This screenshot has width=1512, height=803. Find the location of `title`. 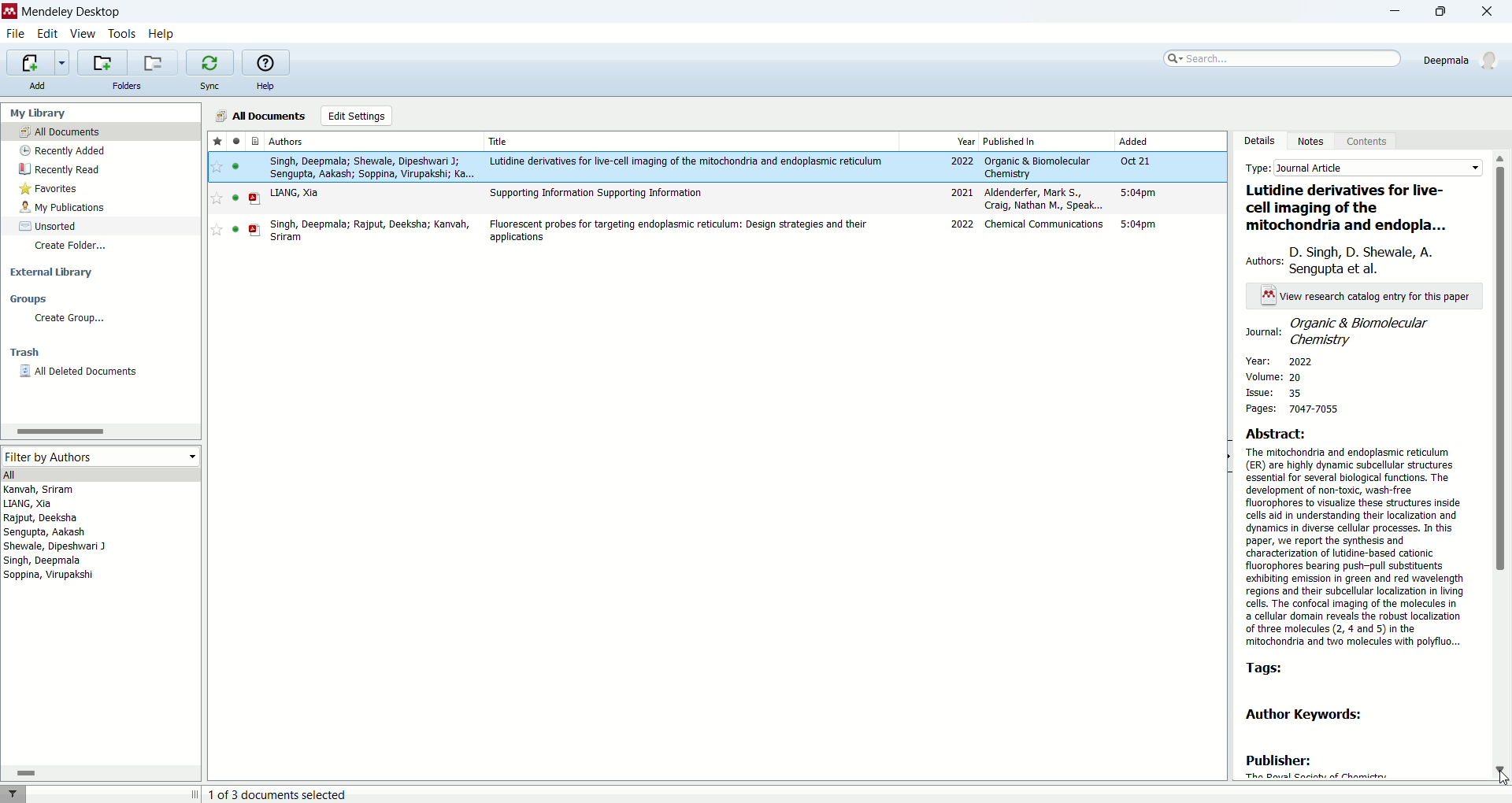

title is located at coordinates (500, 141).